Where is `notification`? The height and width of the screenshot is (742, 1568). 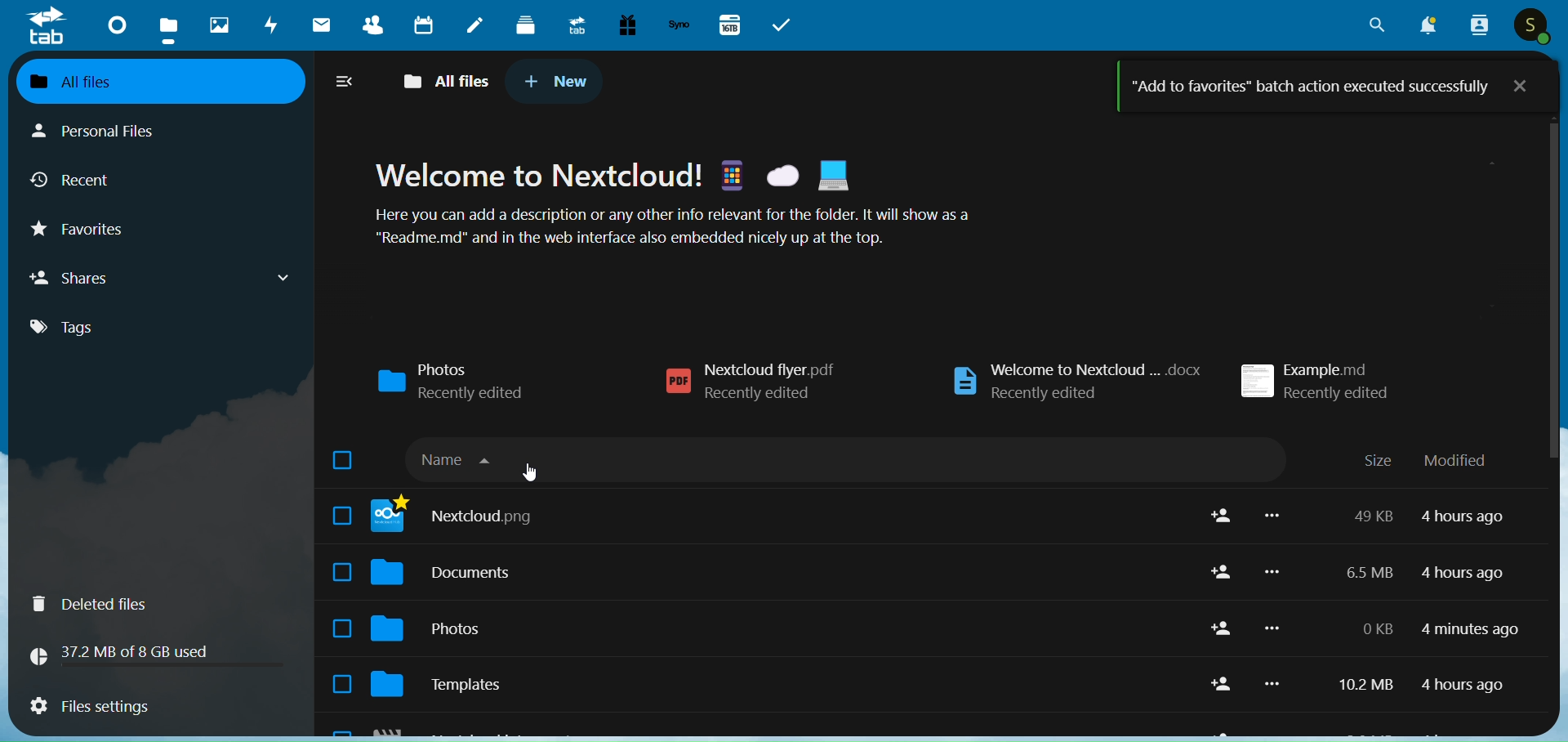 notification is located at coordinates (1430, 25).